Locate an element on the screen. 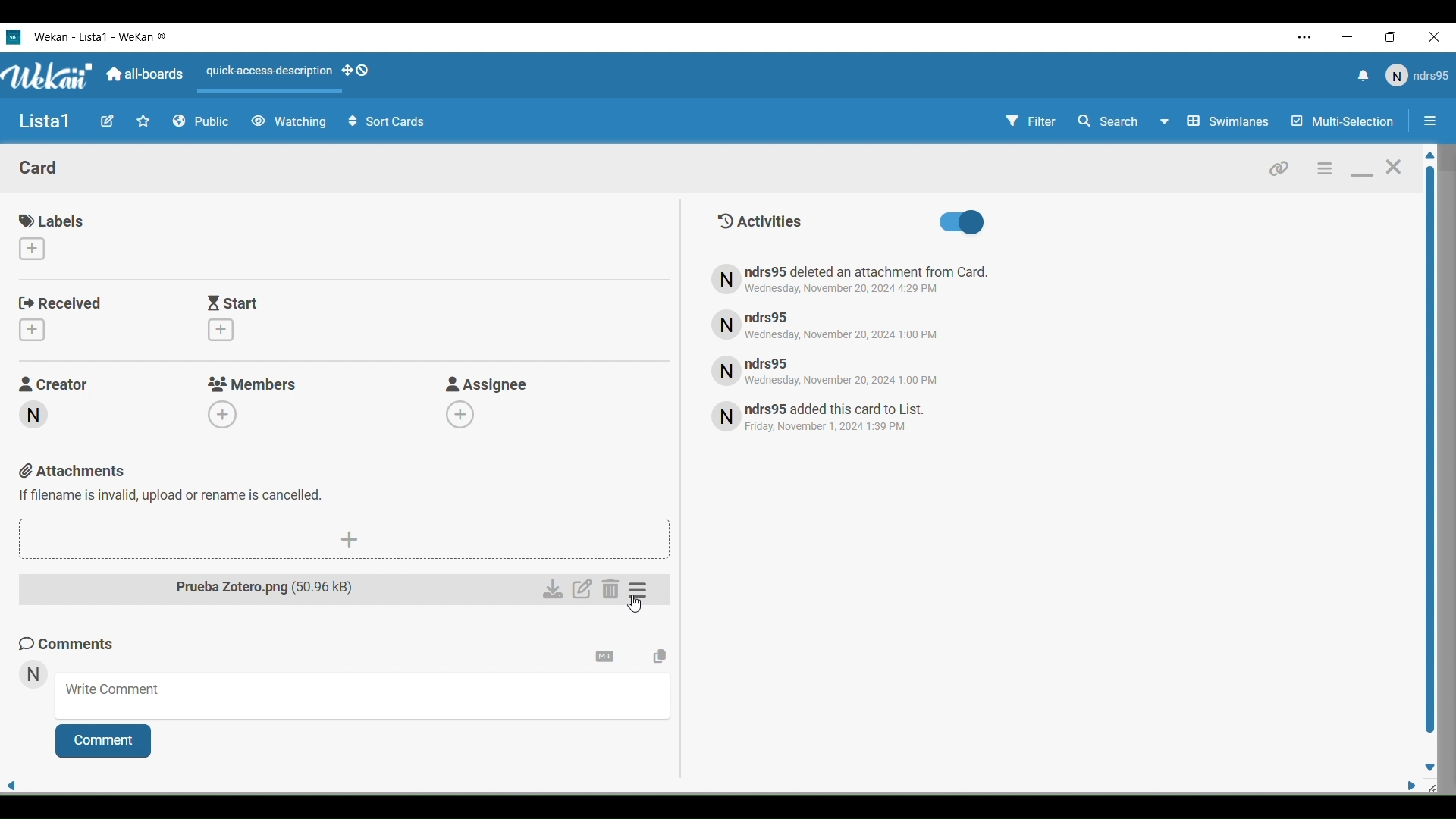  Text is located at coordinates (758, 221).